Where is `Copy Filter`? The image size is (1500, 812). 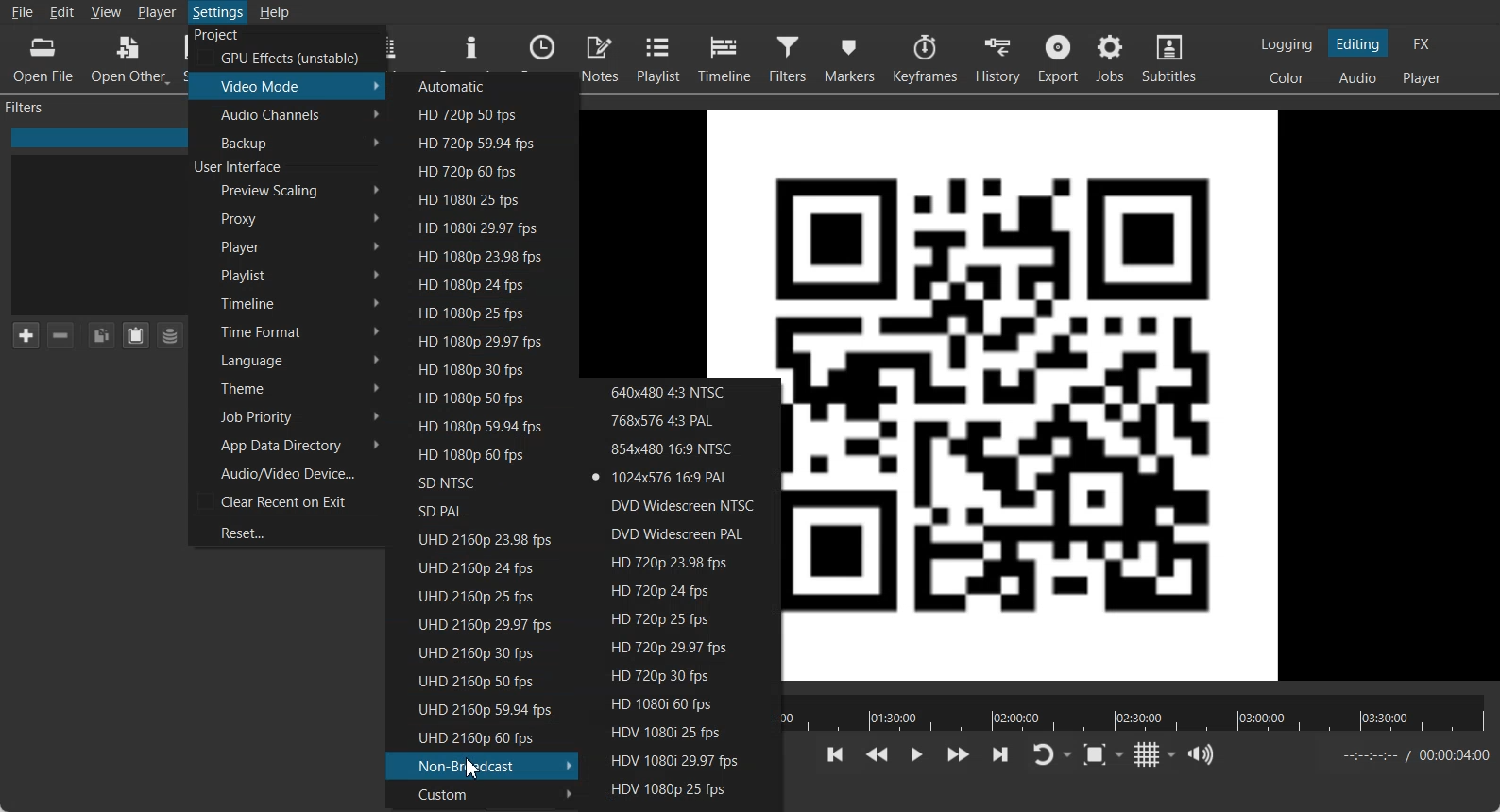
Copy Filter is located at coordinates (100, 335).